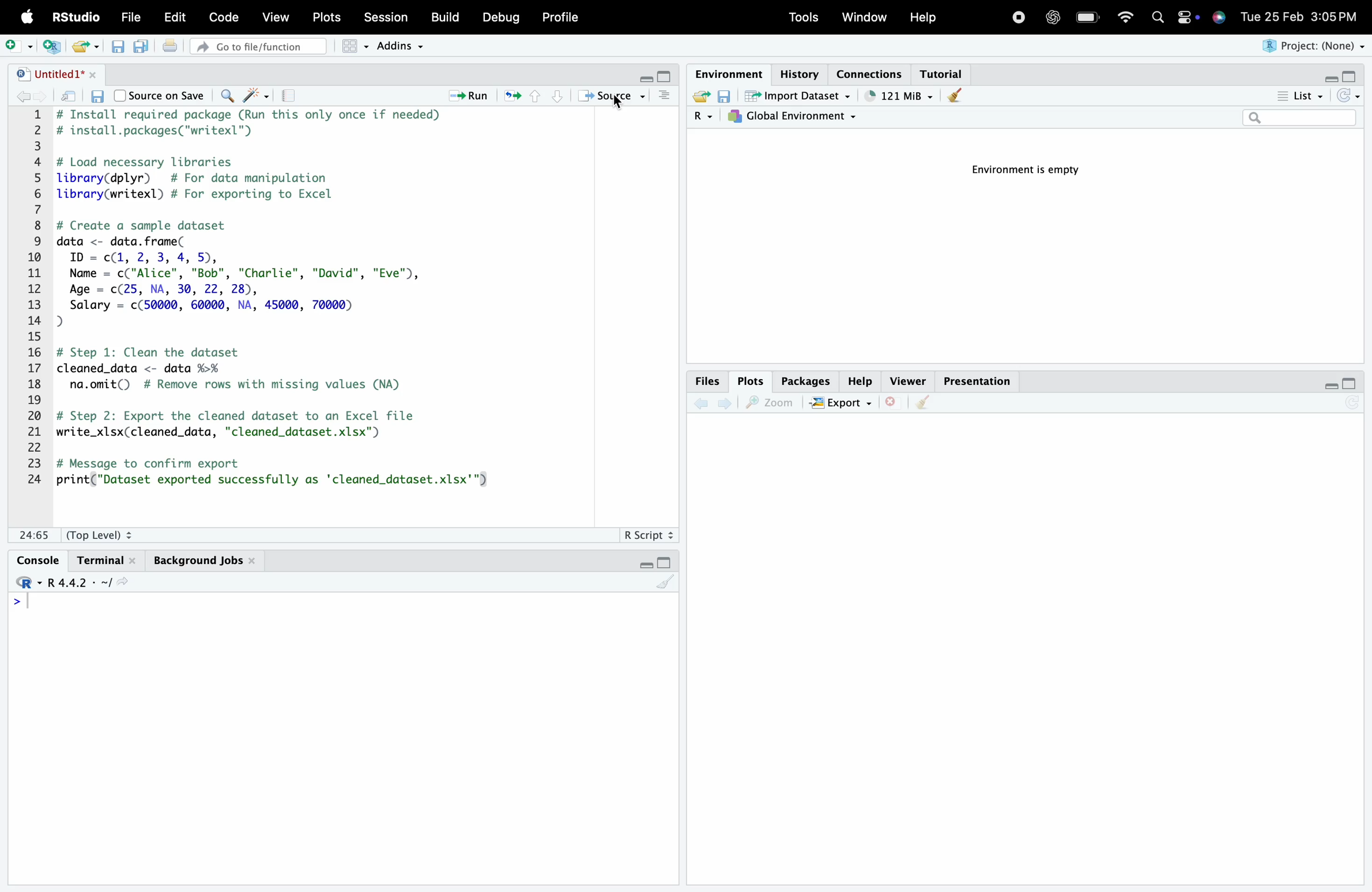 The width and height of the screenshot is (1372, 892). What do you see at coordinates (84, 47) in the screenshot?
I see `Open an existing file (Ctrl + O)` at bounding box center [84, 47].